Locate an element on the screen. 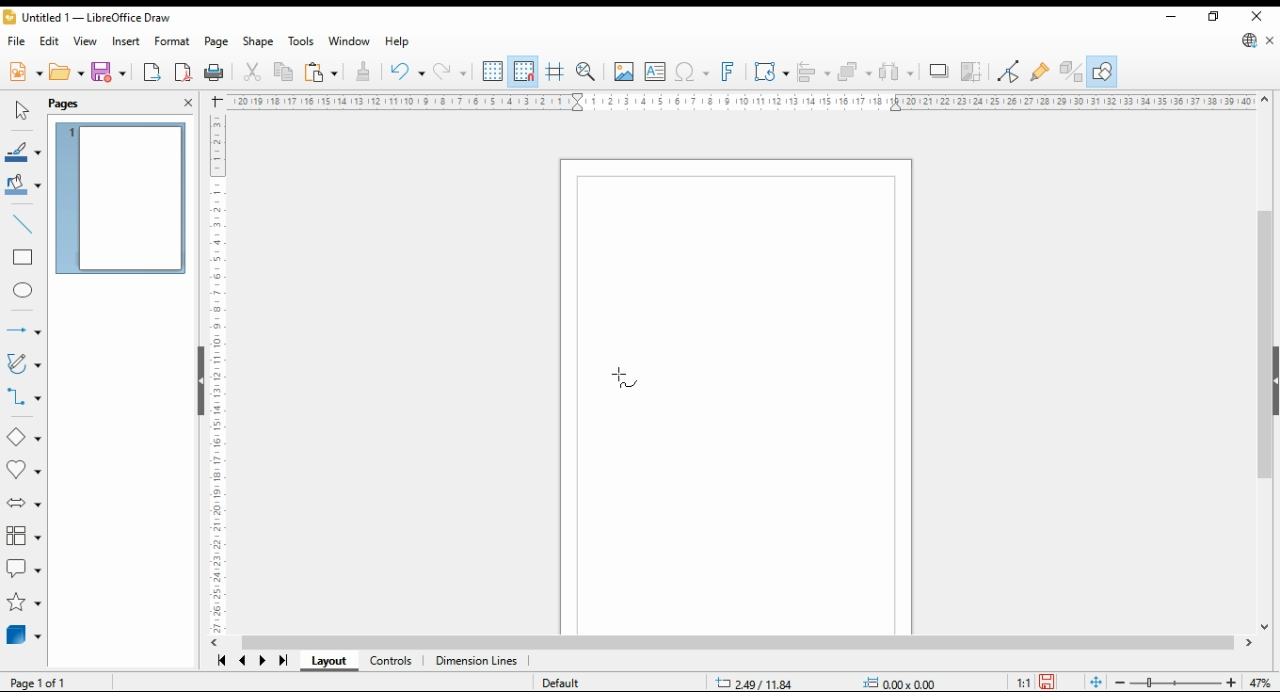  layout is located at coordinates (329, 660).